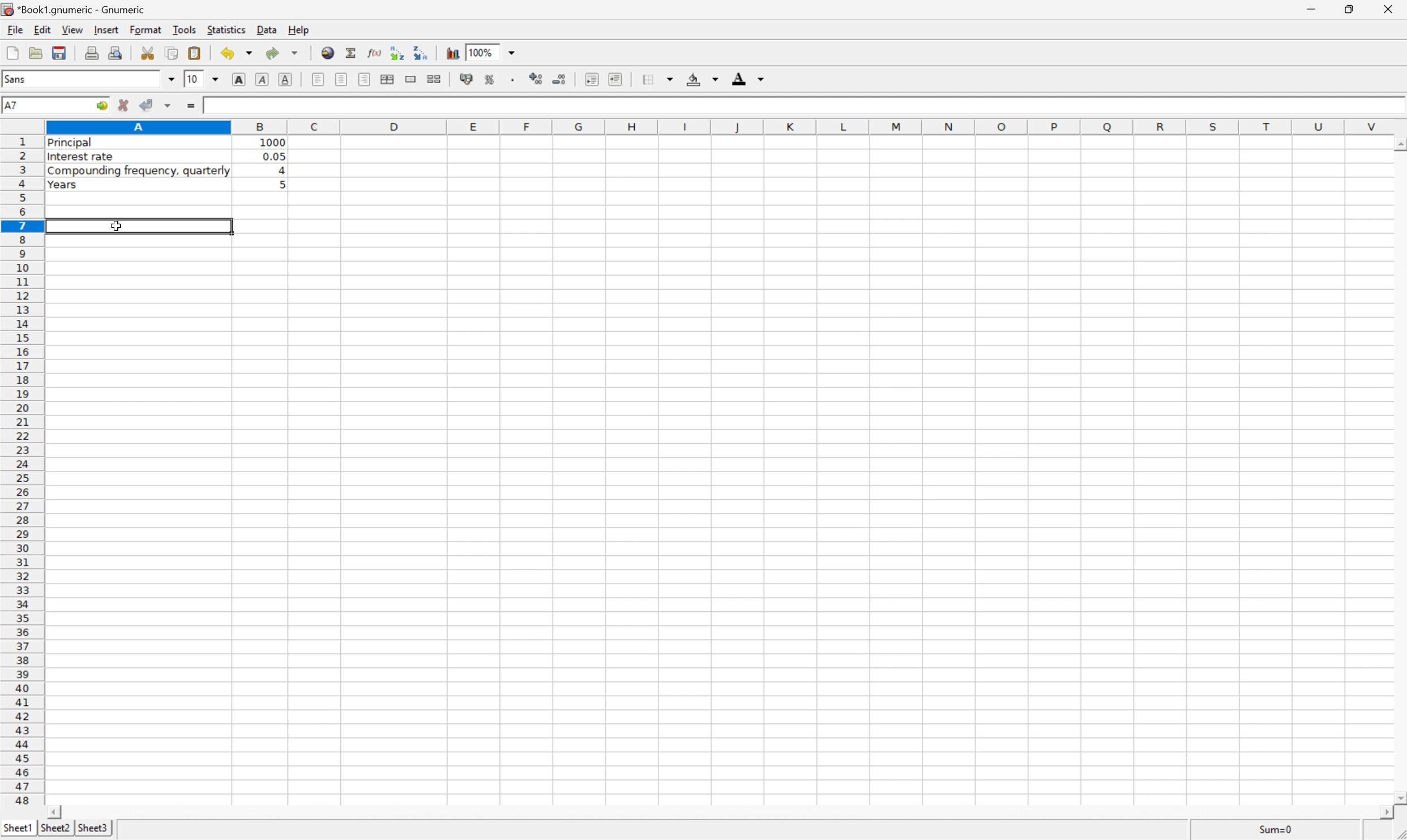  What do you see at coordinates (467, 79) in the screenshot?
I see `format selection as accounting` at bounding box center [467, 79].